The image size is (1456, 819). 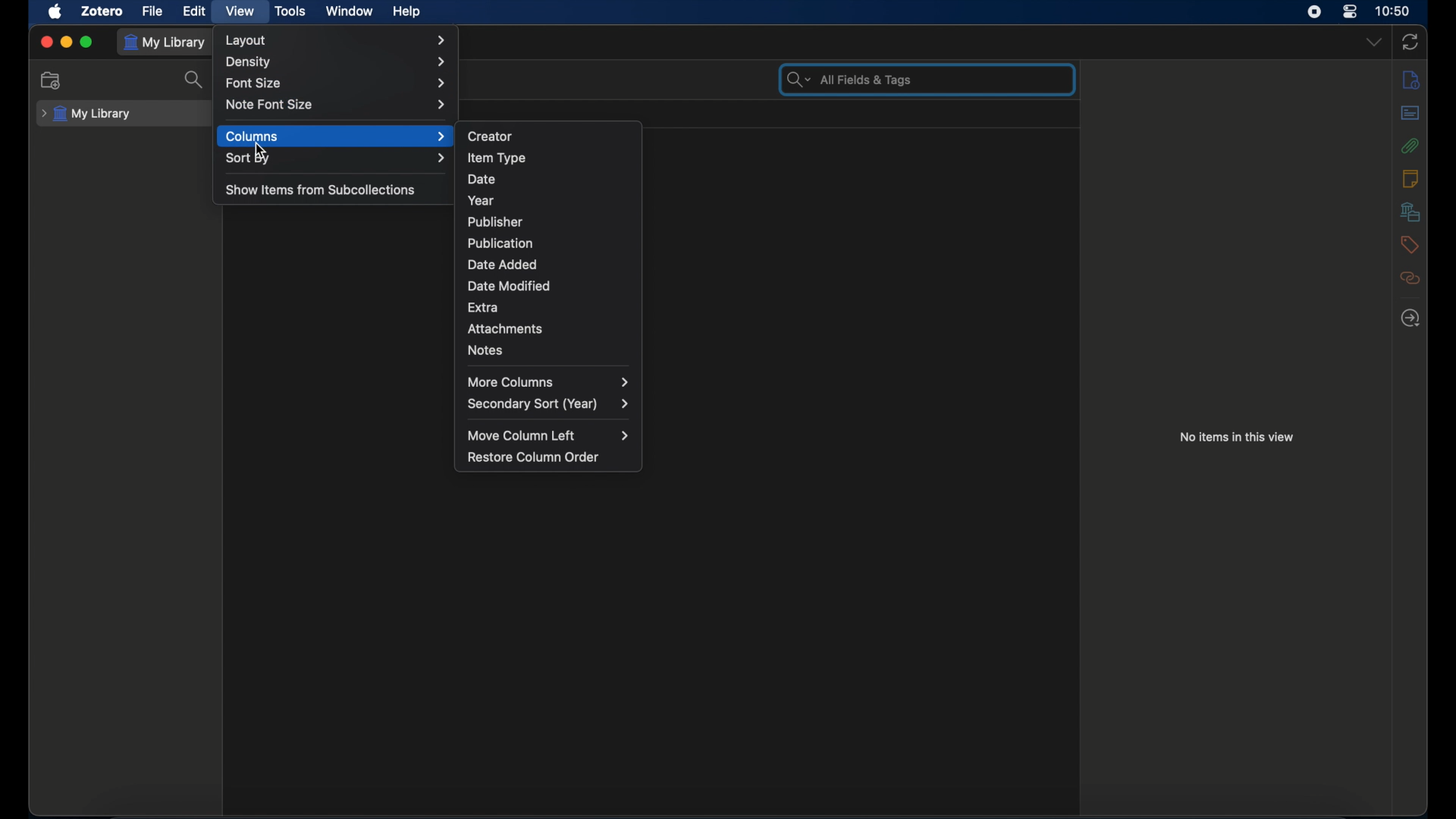 What do you see at coordinates (548, 436) in the screenshot?
I see `move column left` at bounding box center [548, 436].